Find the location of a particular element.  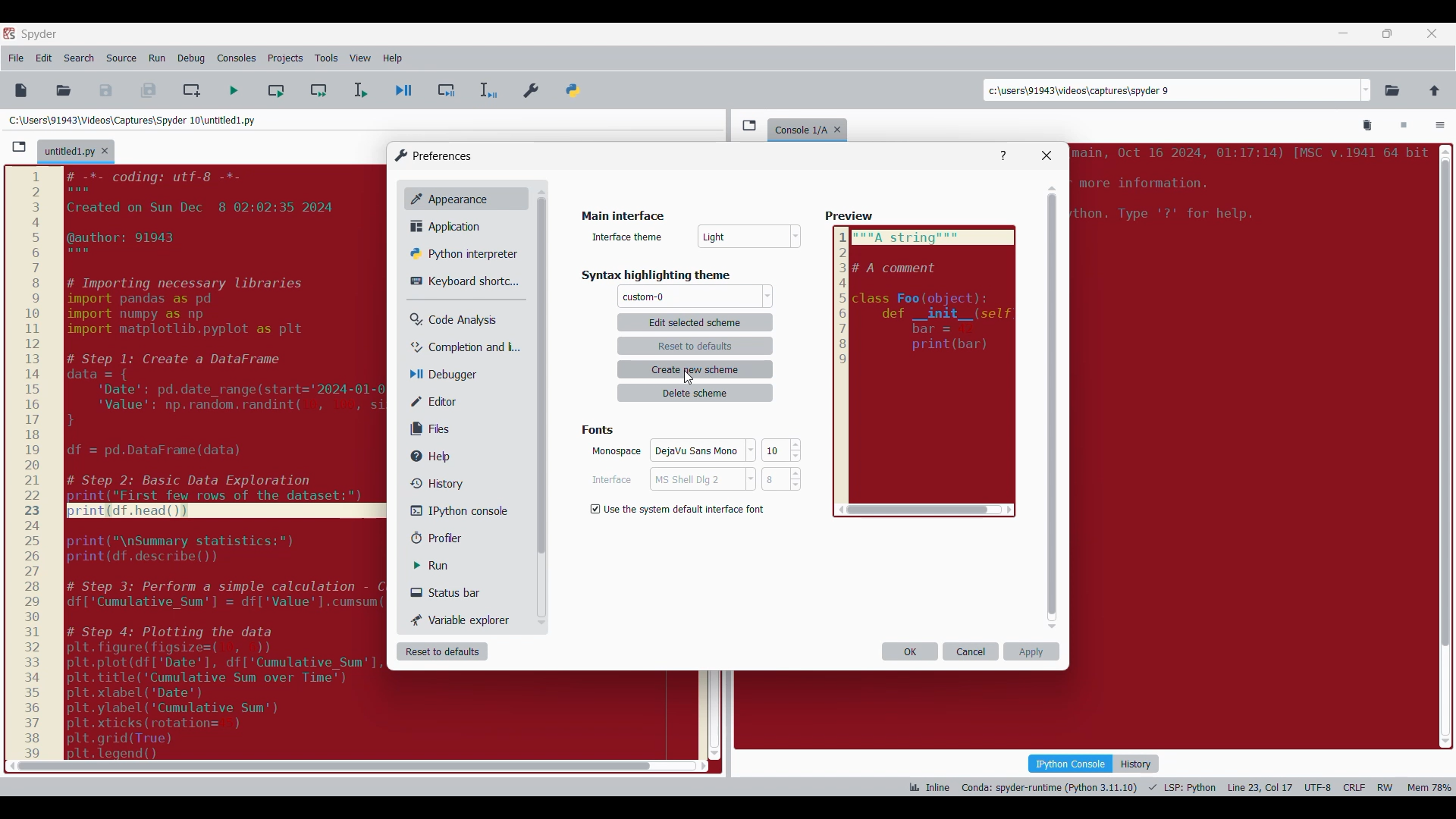

Run selection/current line is located at coordinates (359, 90).